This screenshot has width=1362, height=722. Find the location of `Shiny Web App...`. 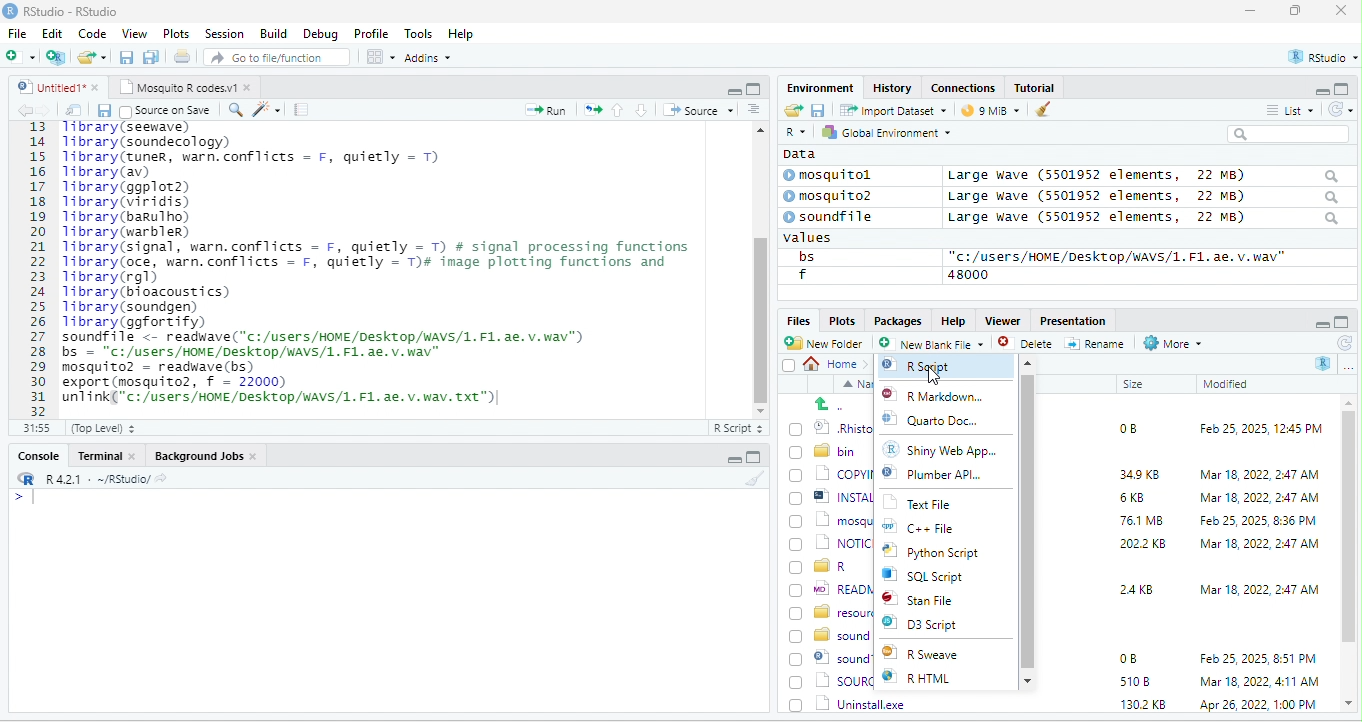

Shiny Web App... is located at coordinates (951, 449).